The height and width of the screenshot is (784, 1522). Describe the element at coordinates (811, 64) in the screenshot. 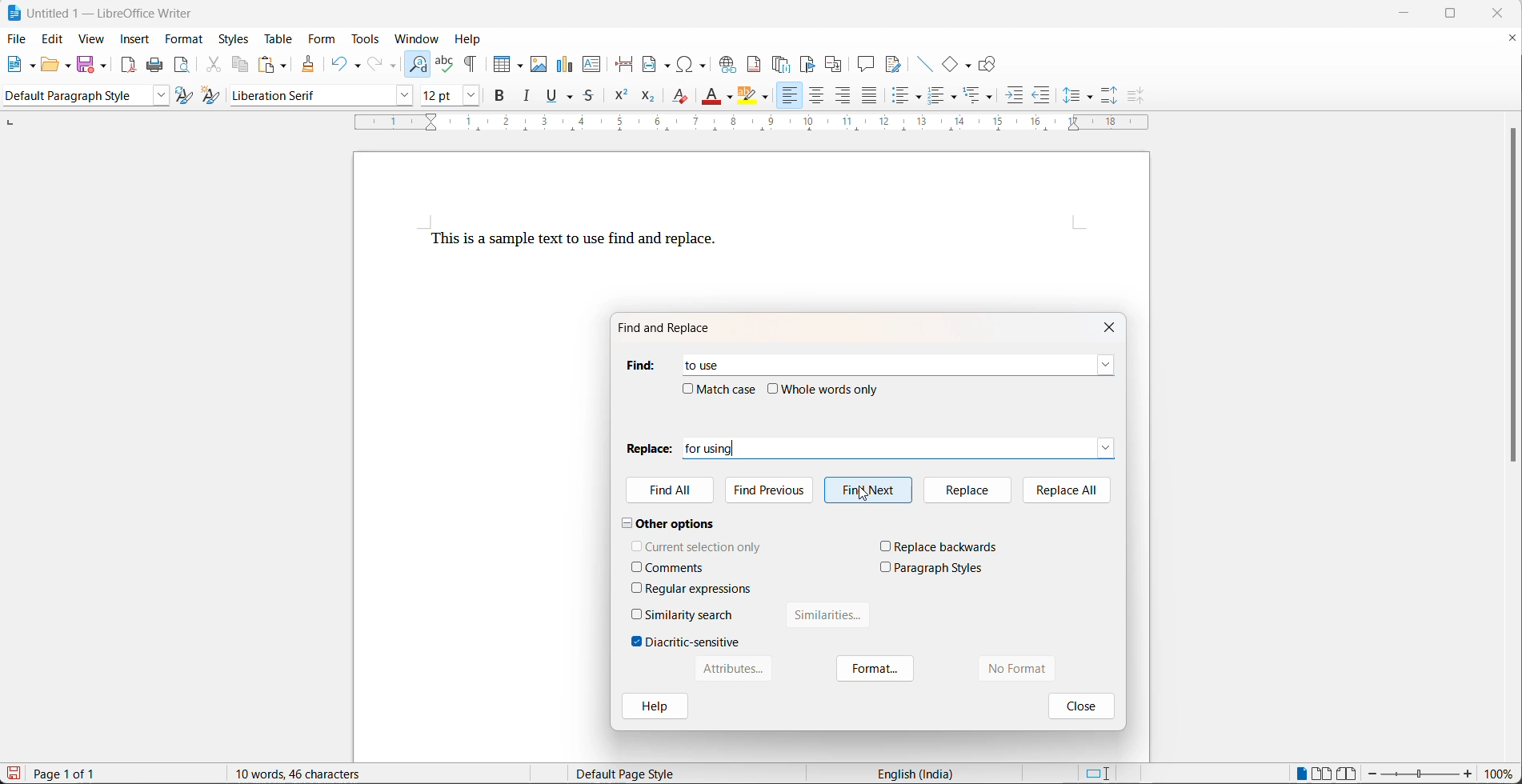

I see `insert bookmark` at that location.